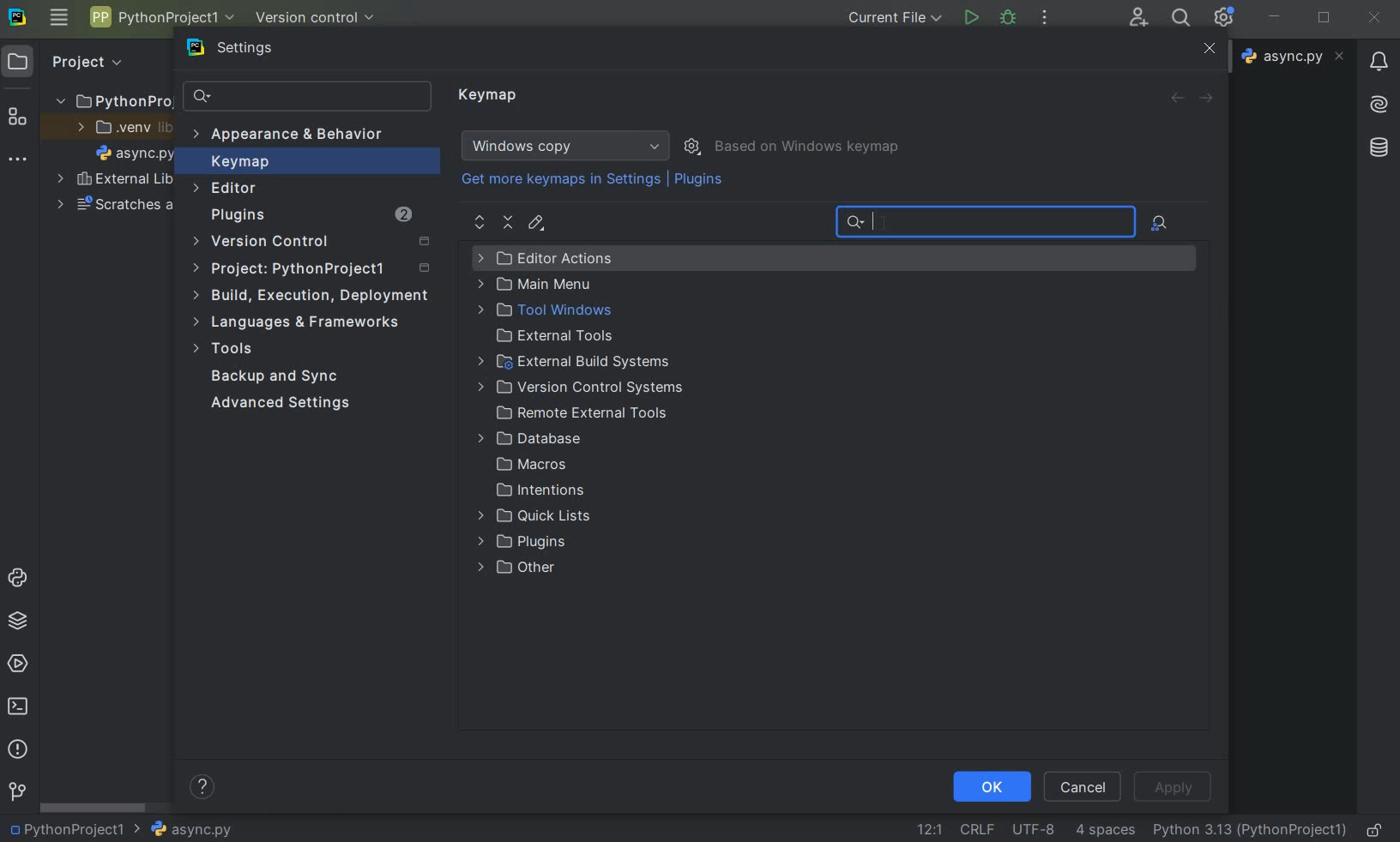 This screenshot has height=842, width=1400. What do you see at coordinates (317, 243) in the screenshot?
I see `version control` at bounding box center [317, 243].